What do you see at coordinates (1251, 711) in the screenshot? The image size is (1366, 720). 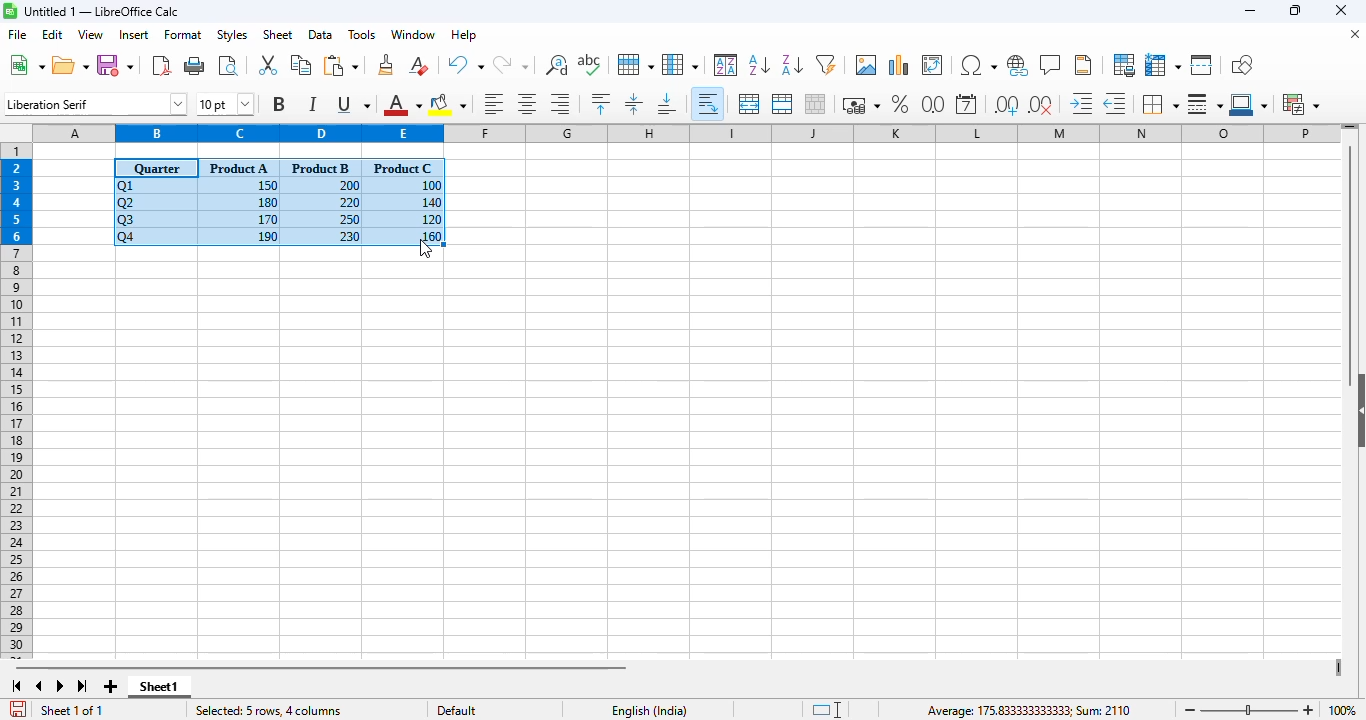 I see `zoom slider` at bounding box center [1251, 711].